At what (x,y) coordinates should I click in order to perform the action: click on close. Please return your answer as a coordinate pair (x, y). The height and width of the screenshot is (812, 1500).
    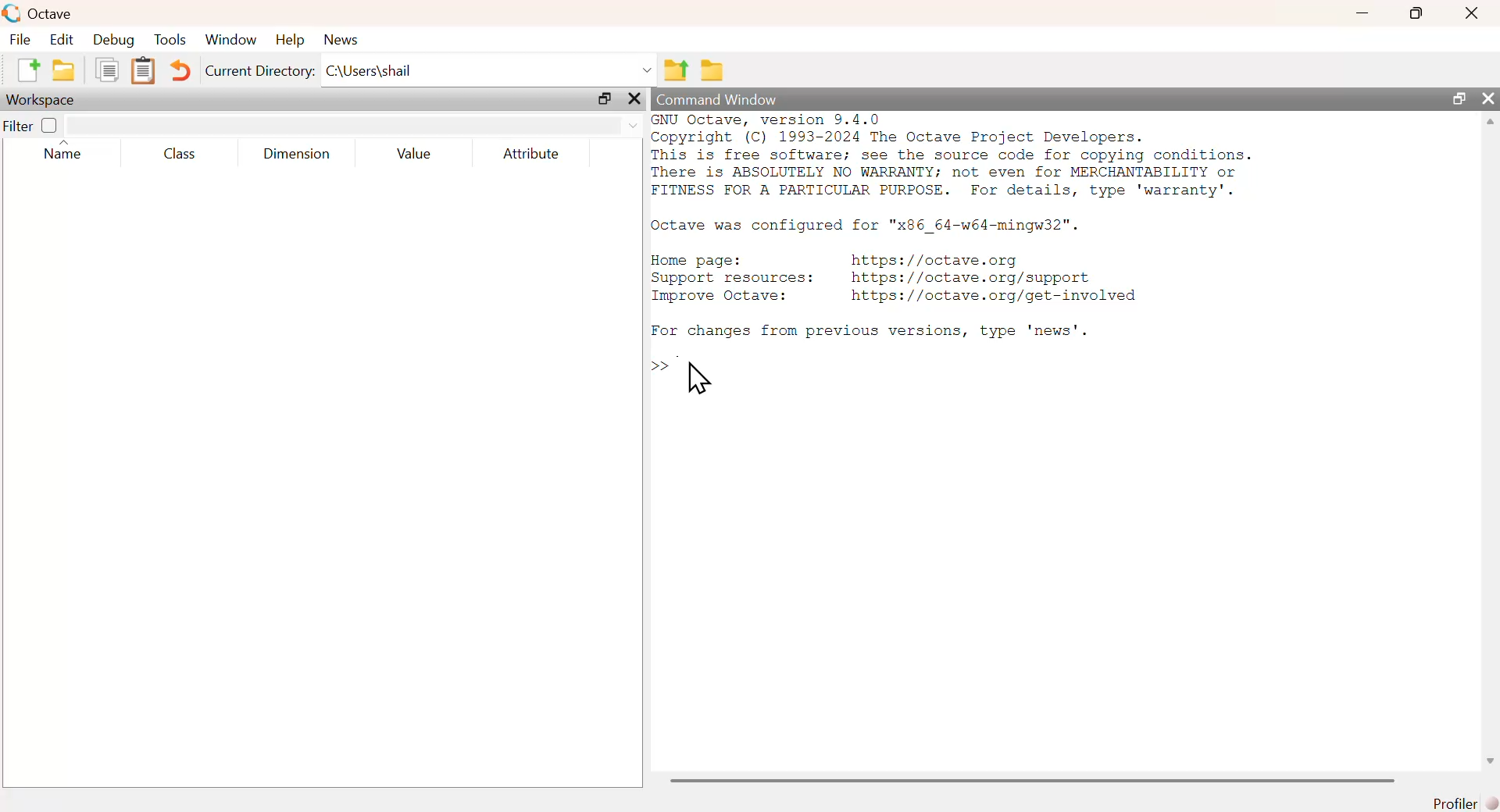
    Looking at the image, I should click on (1470, 15).